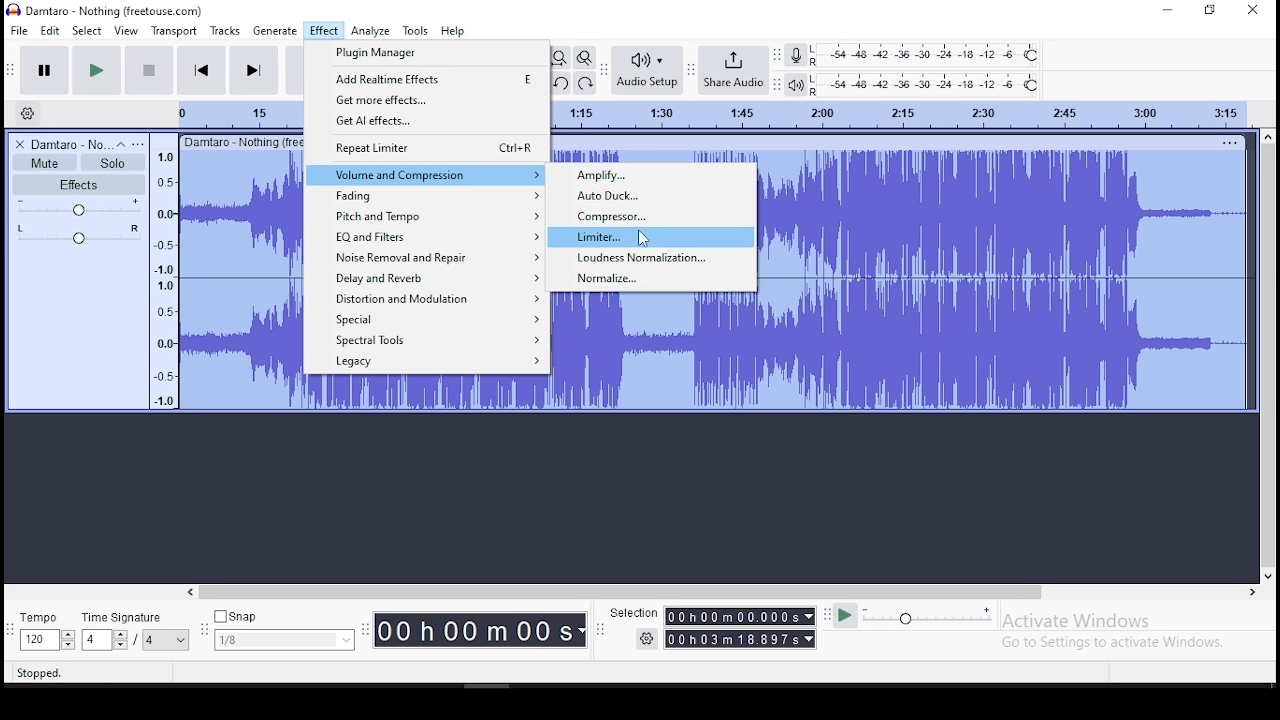 The height and width of the screenshot is (720, 1280). I want to click on help, so click(452, 30).